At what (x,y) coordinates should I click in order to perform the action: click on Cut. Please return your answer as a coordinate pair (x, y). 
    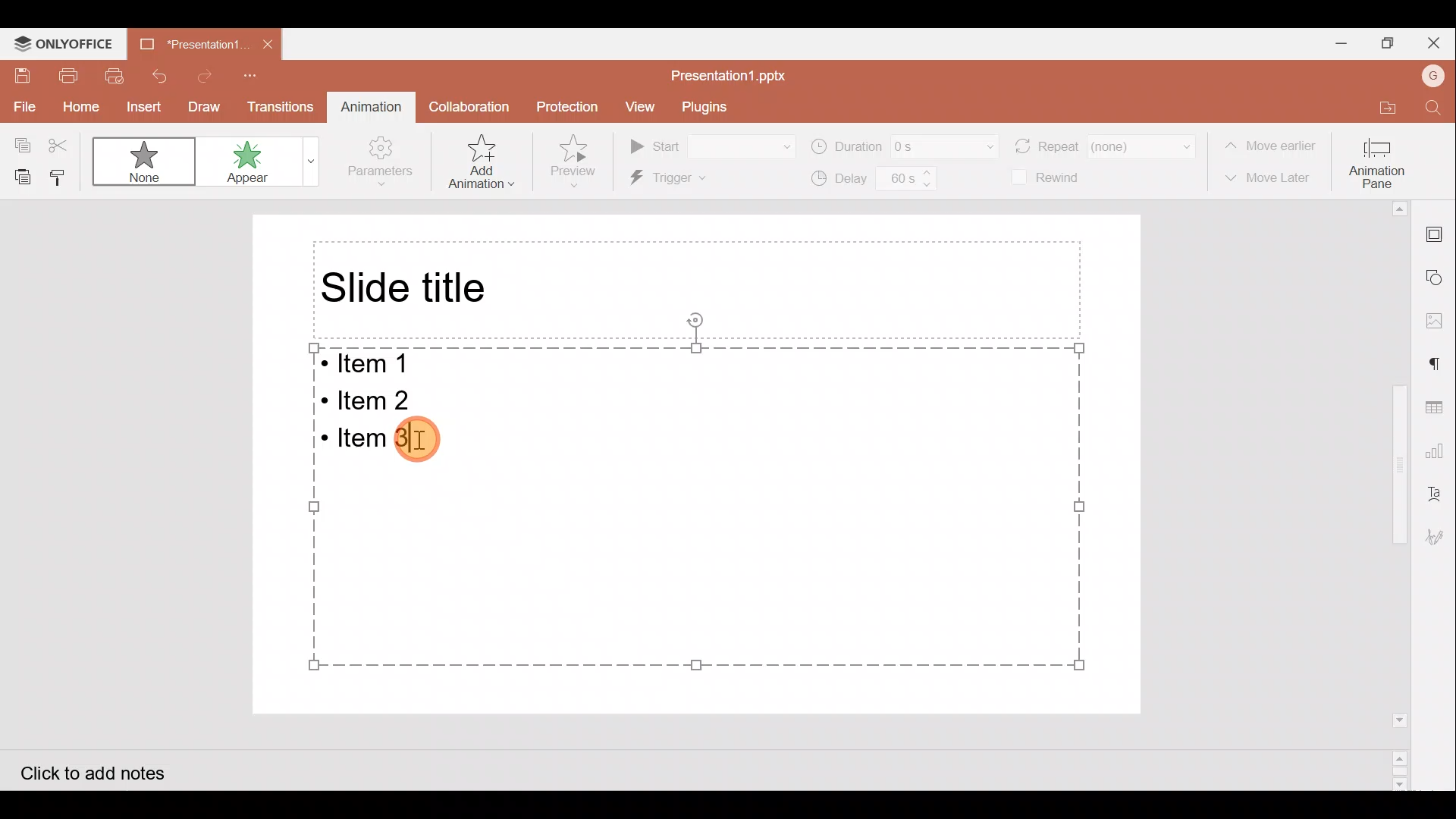
    Looking at the image, I should click on (61, 143).